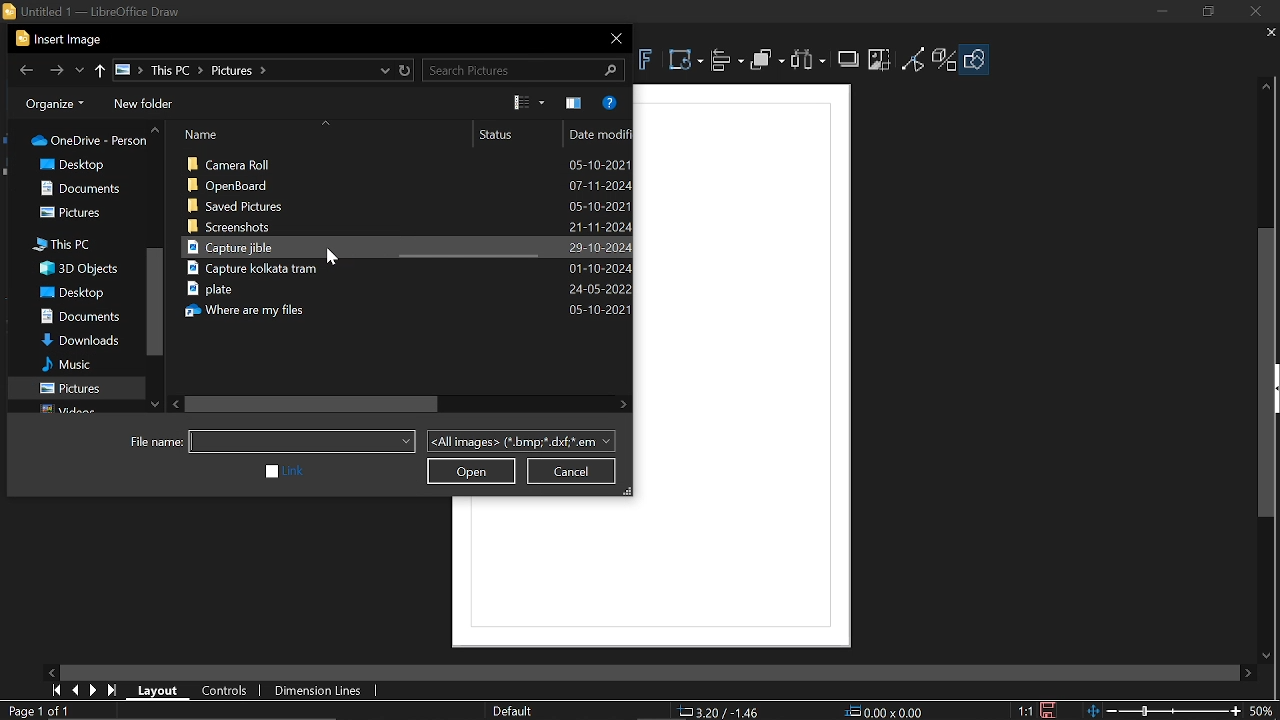  What do you see at coordinates (206, 131) in the screenshot?
I see `Name` at bounding box center [206, 131].